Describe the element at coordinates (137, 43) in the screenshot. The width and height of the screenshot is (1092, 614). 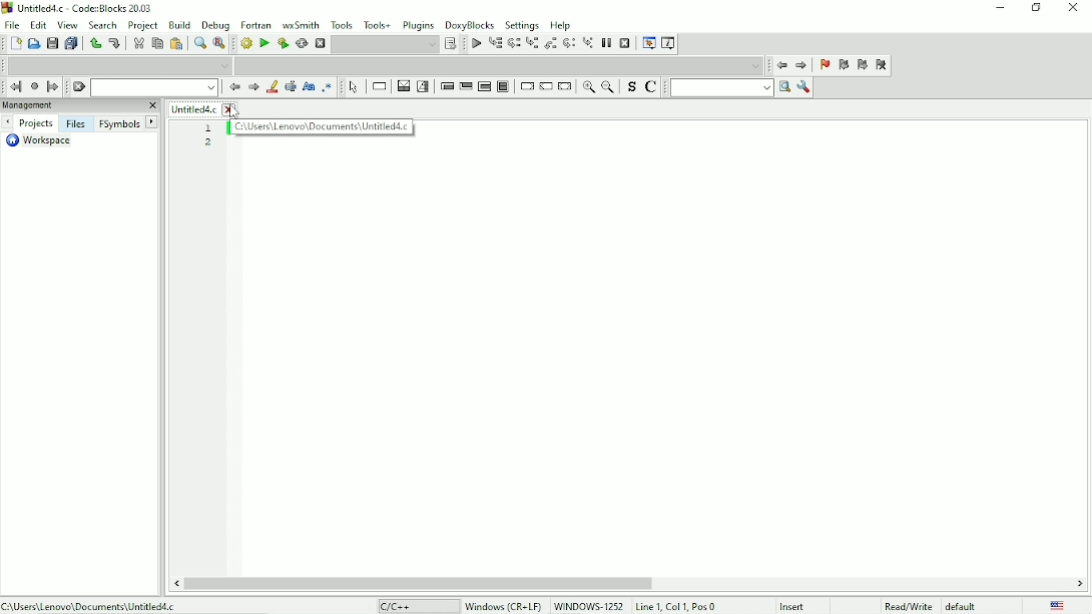
I see `Cut` at that location.